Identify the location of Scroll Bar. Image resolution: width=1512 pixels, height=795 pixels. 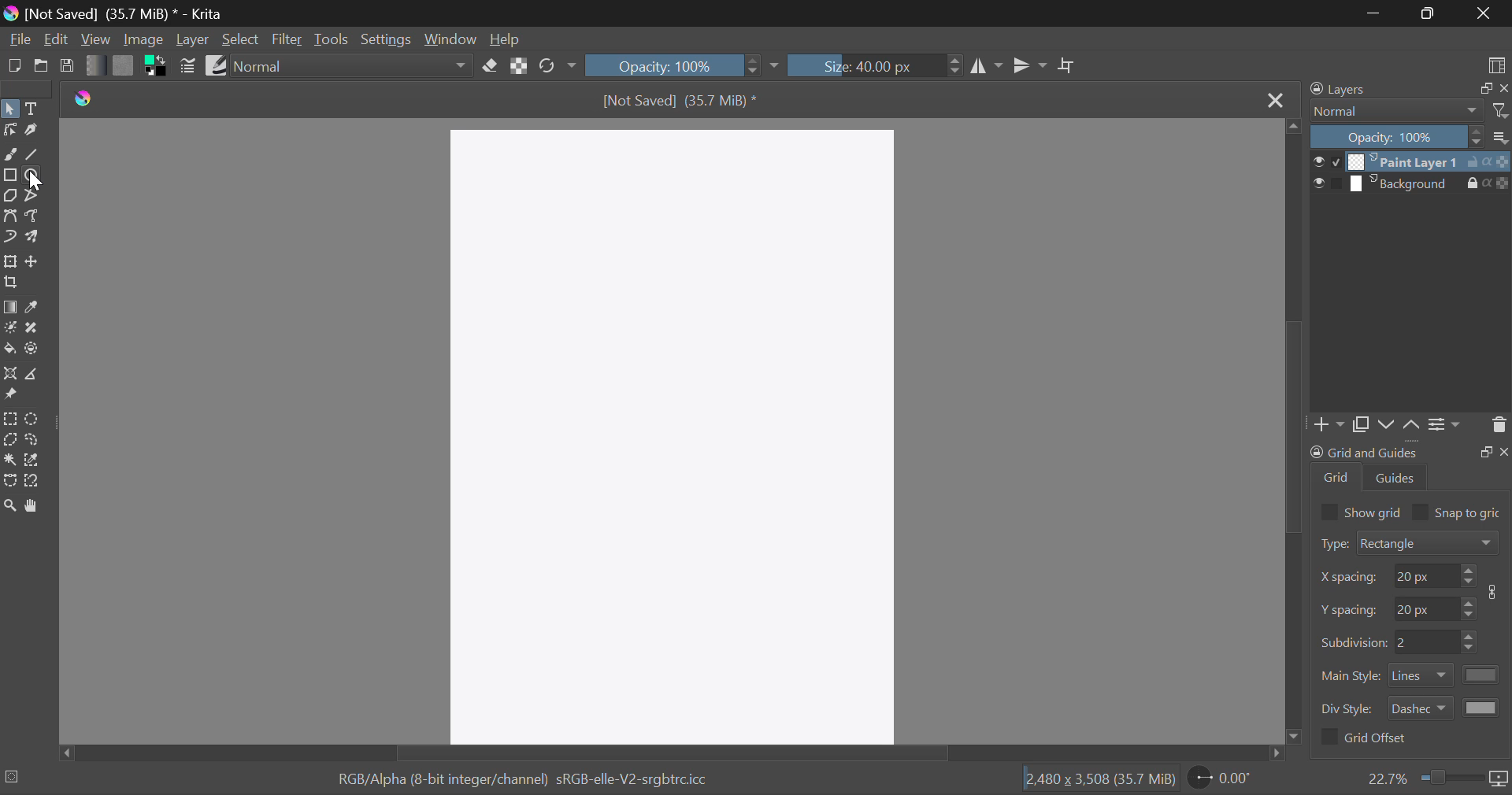
(1296, 435).